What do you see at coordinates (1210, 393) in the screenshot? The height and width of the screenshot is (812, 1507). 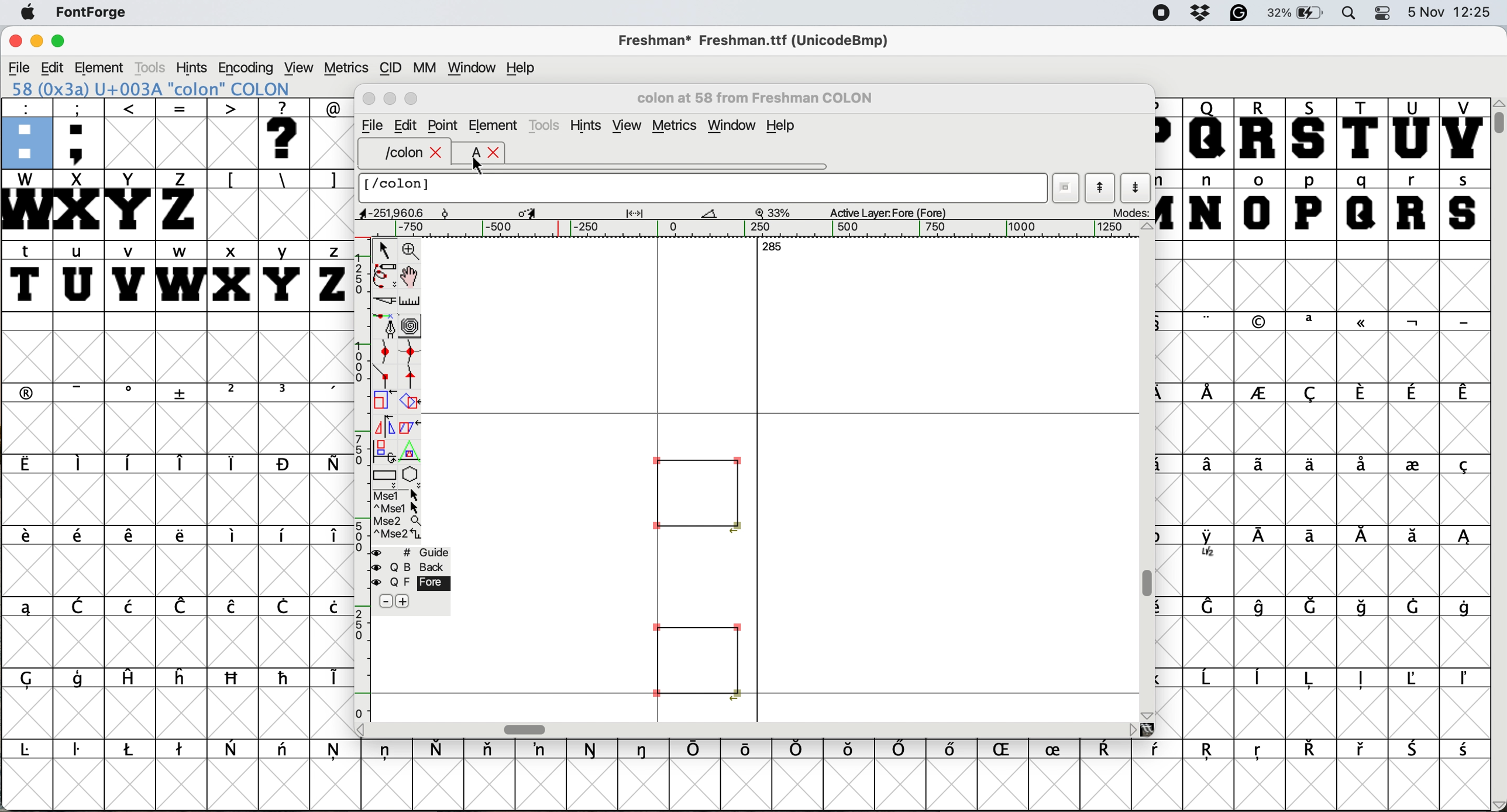 I see `symbol` at bounding box center [1210, 393].